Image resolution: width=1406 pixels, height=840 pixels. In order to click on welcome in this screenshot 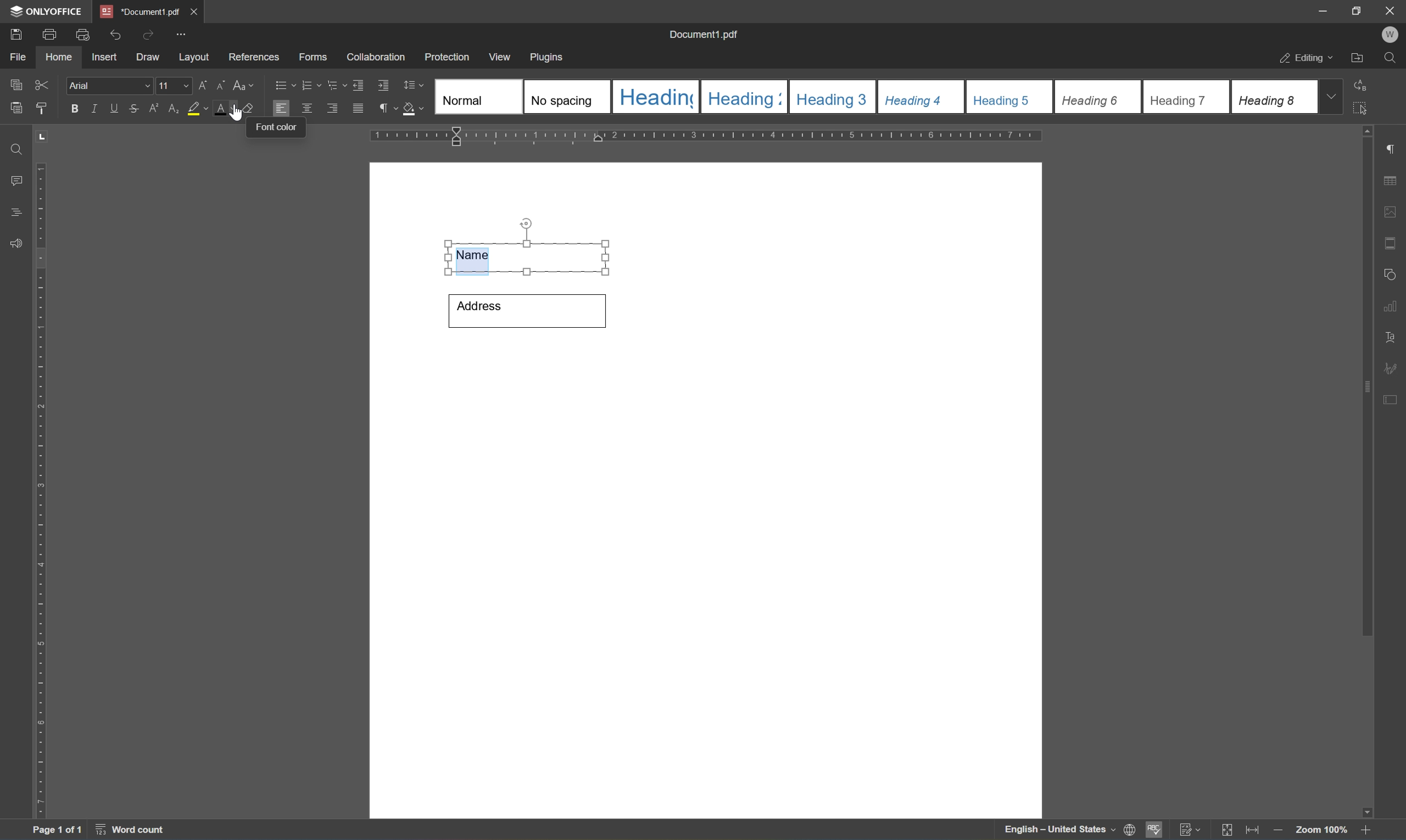, I will do `click(1390, 35)`.